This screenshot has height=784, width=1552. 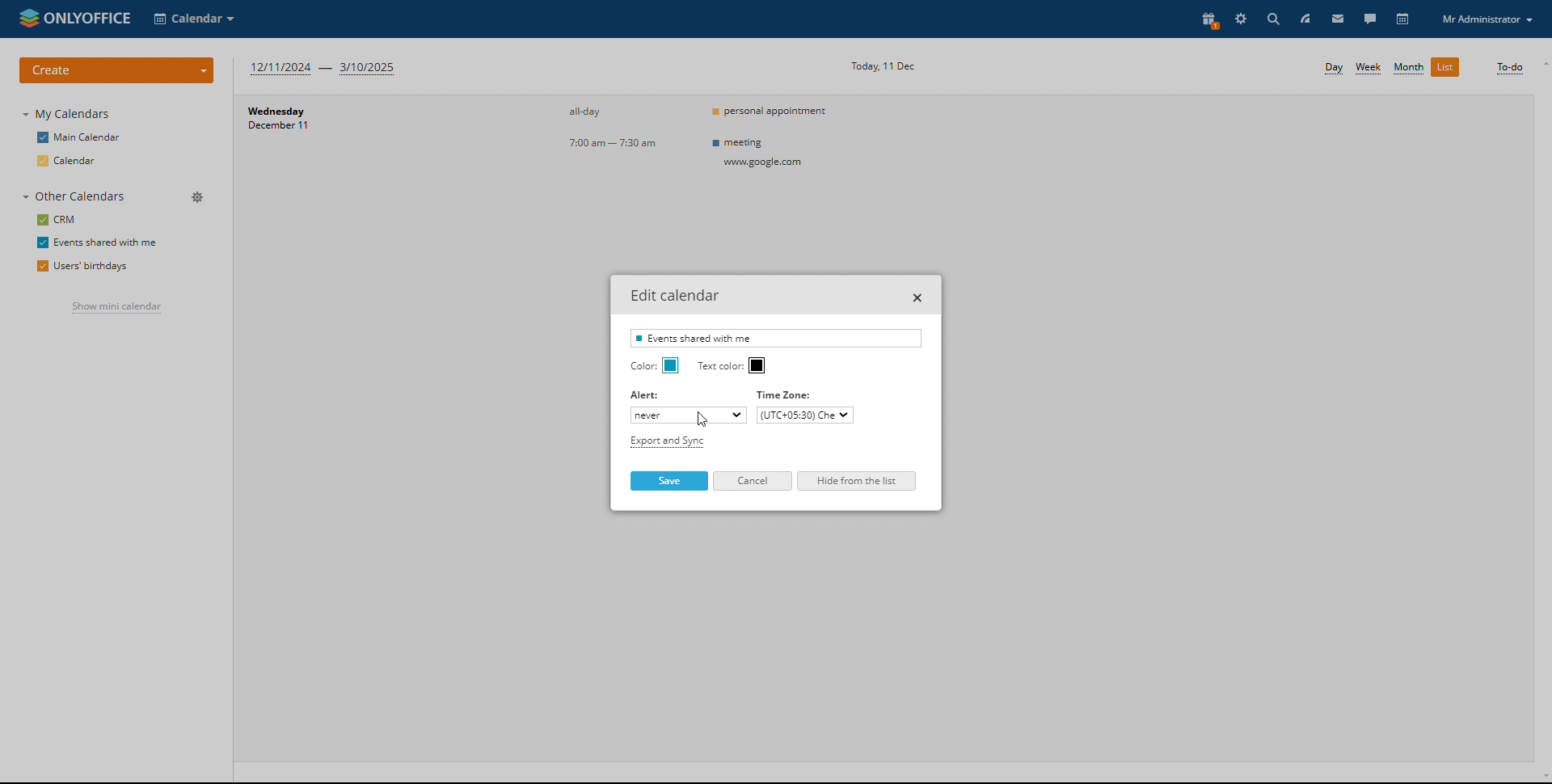 I want to click on search, so click(x=1271, y=18).